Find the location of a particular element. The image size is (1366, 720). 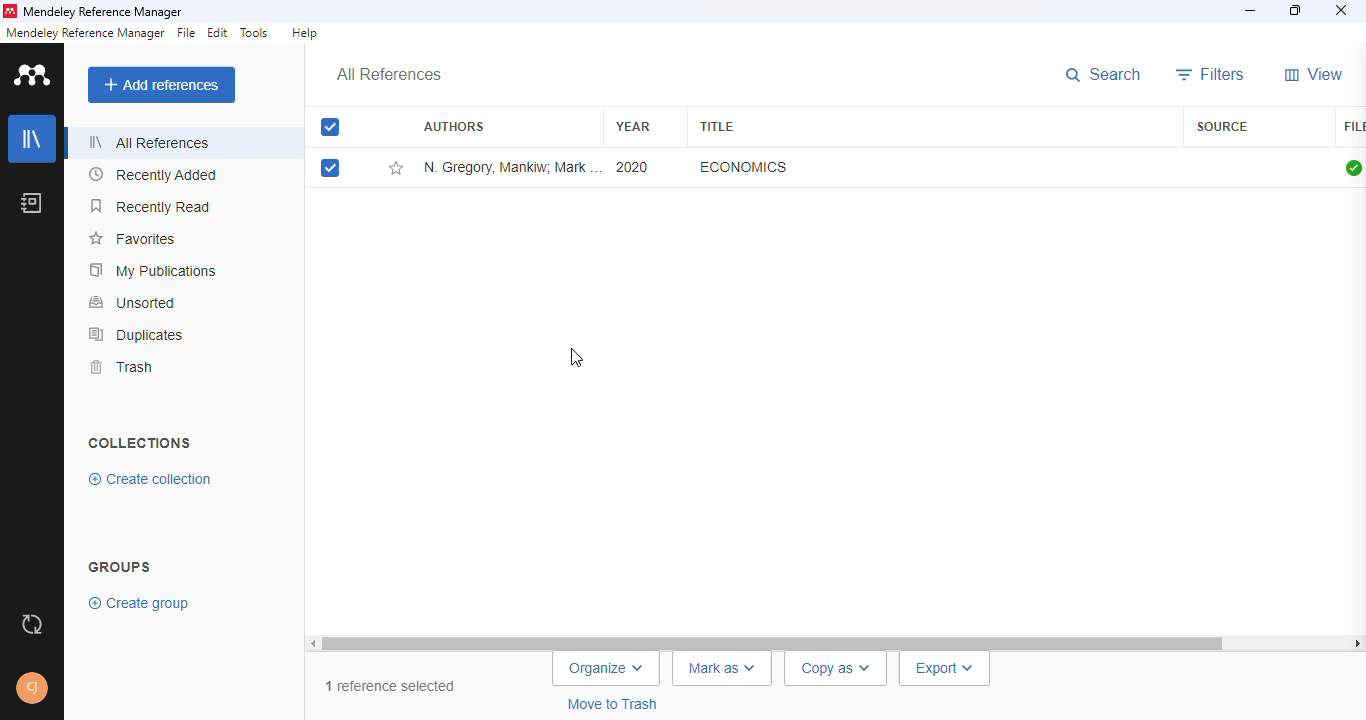

cursor is located at coordinates (575, 356).